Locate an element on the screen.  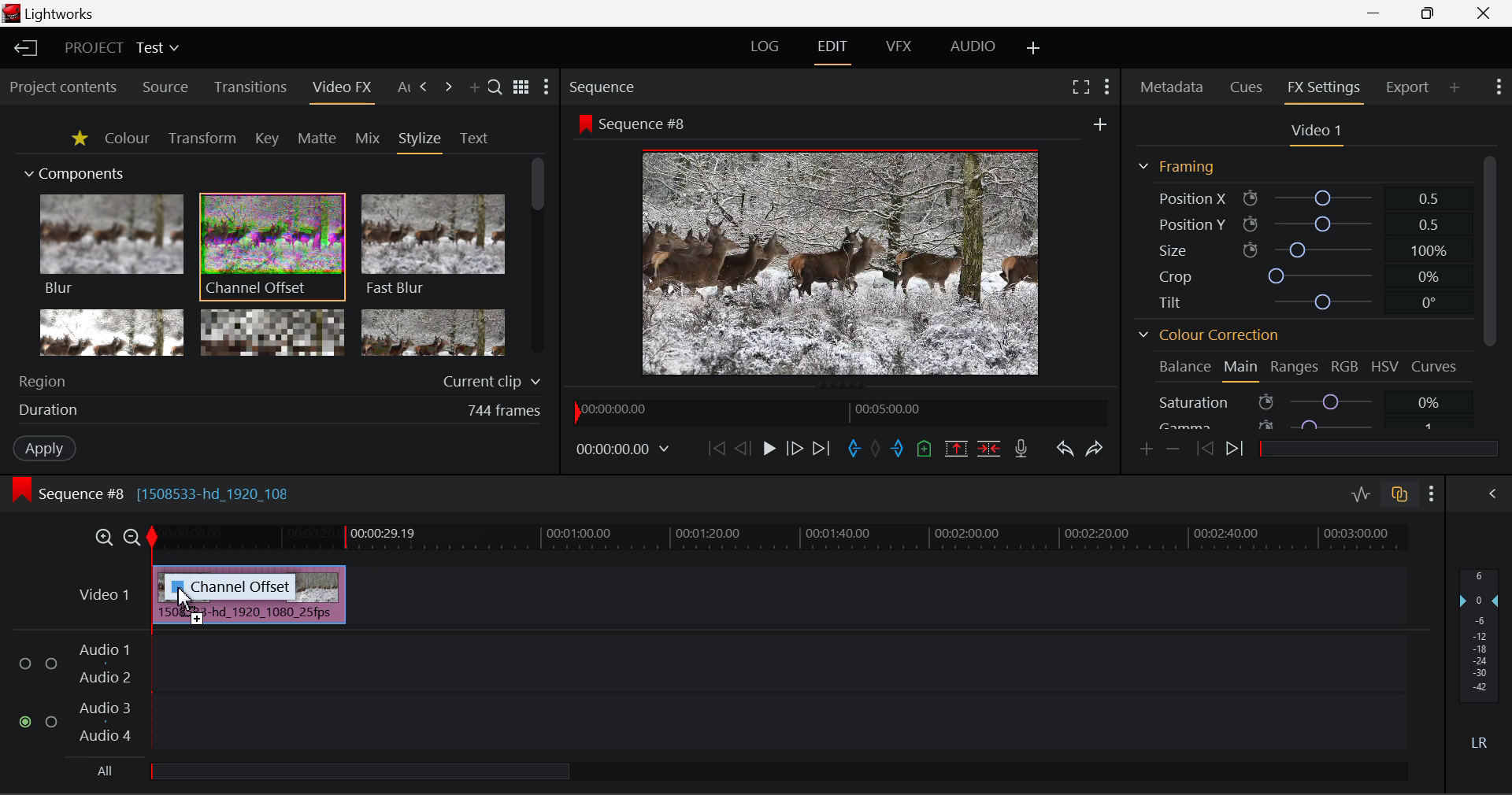
Edit Layout Open is located at coordinates (832, 52).